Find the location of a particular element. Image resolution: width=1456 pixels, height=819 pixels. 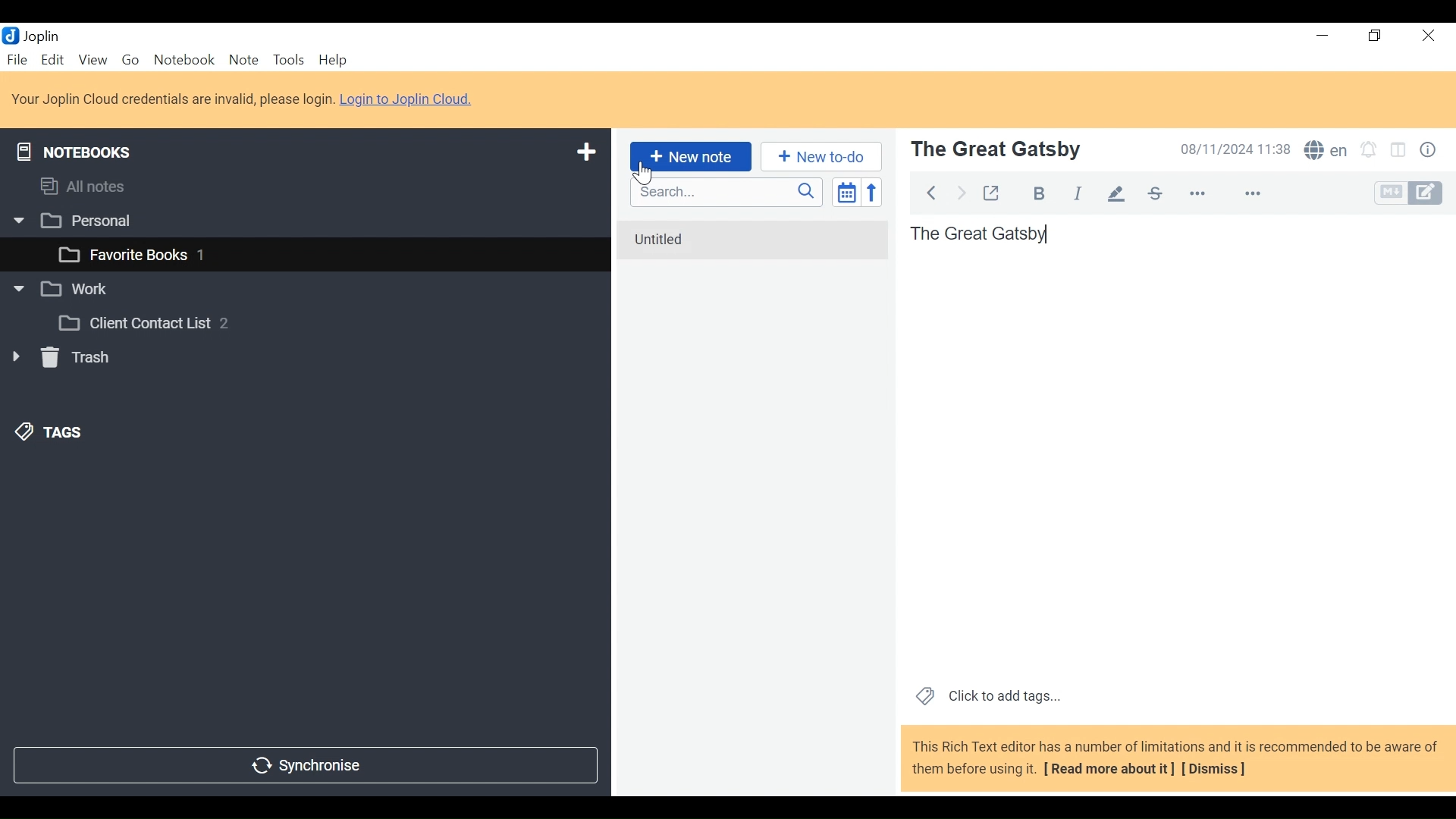

Go is located at coordinates (128, 61).